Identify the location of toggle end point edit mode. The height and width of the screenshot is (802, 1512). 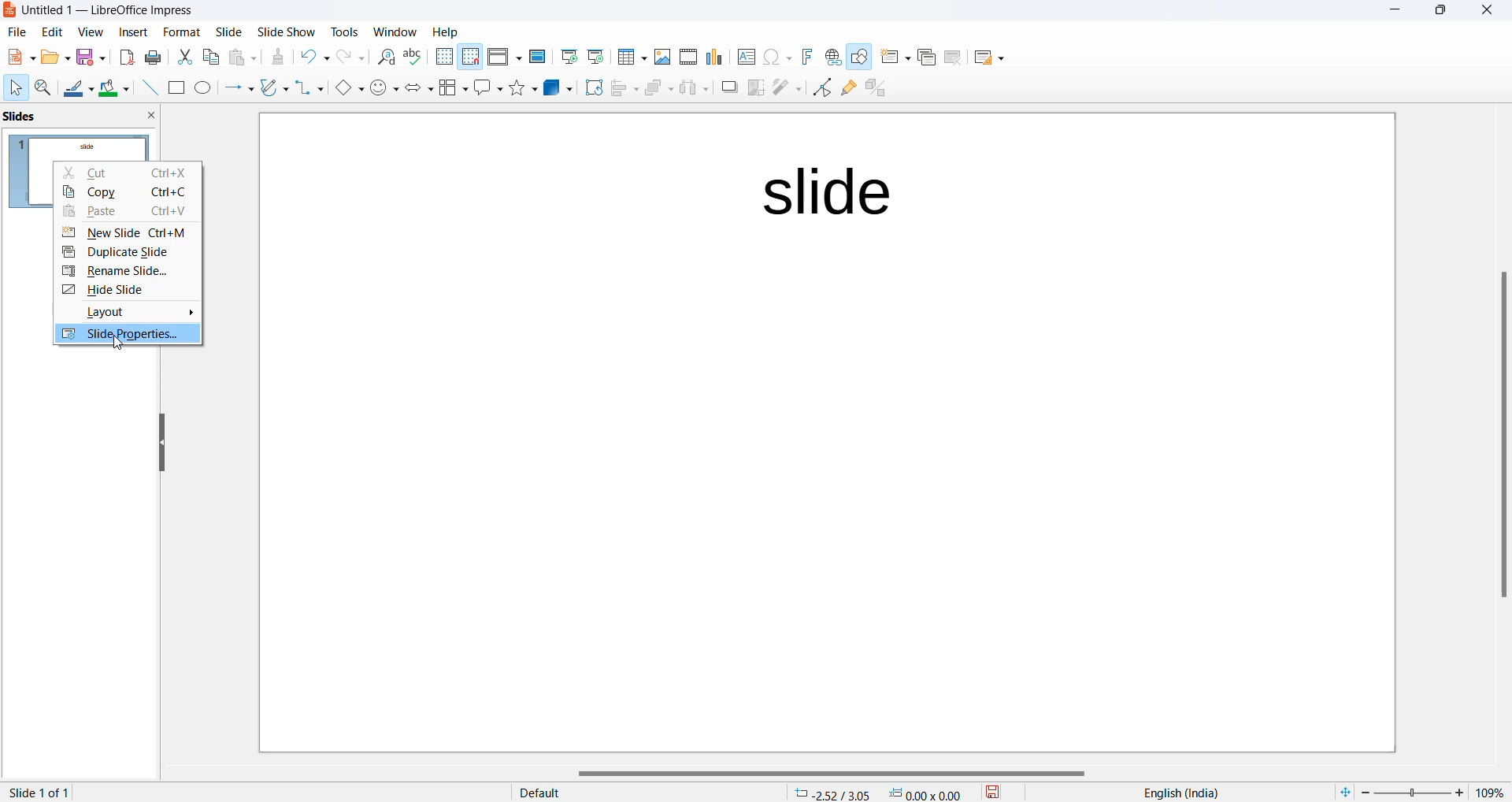
(823, 87).